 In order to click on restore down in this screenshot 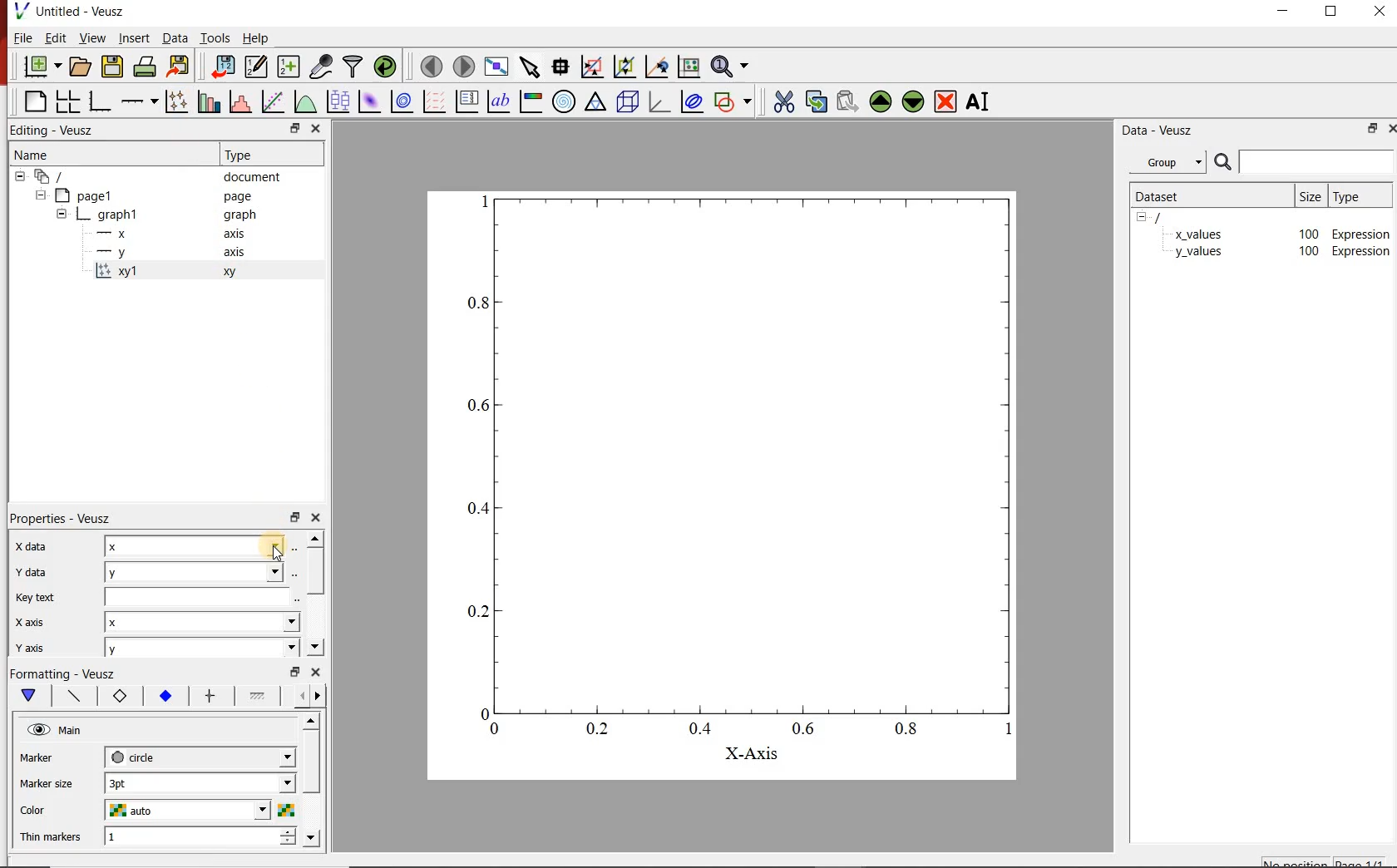, I will do `click(294, 127)`.